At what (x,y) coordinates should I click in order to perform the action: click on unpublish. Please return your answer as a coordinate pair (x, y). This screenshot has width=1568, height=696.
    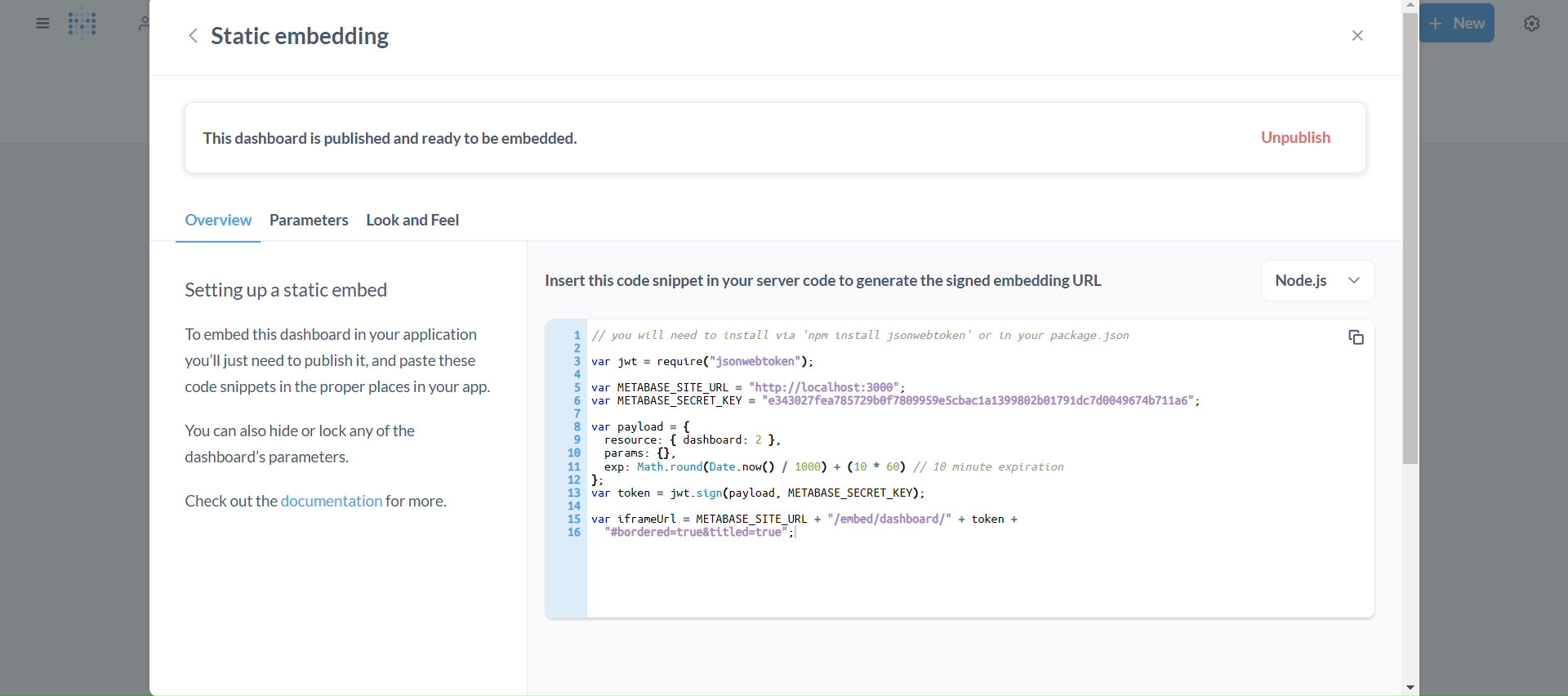
    Looking at the image, I should click on (1296, 138).